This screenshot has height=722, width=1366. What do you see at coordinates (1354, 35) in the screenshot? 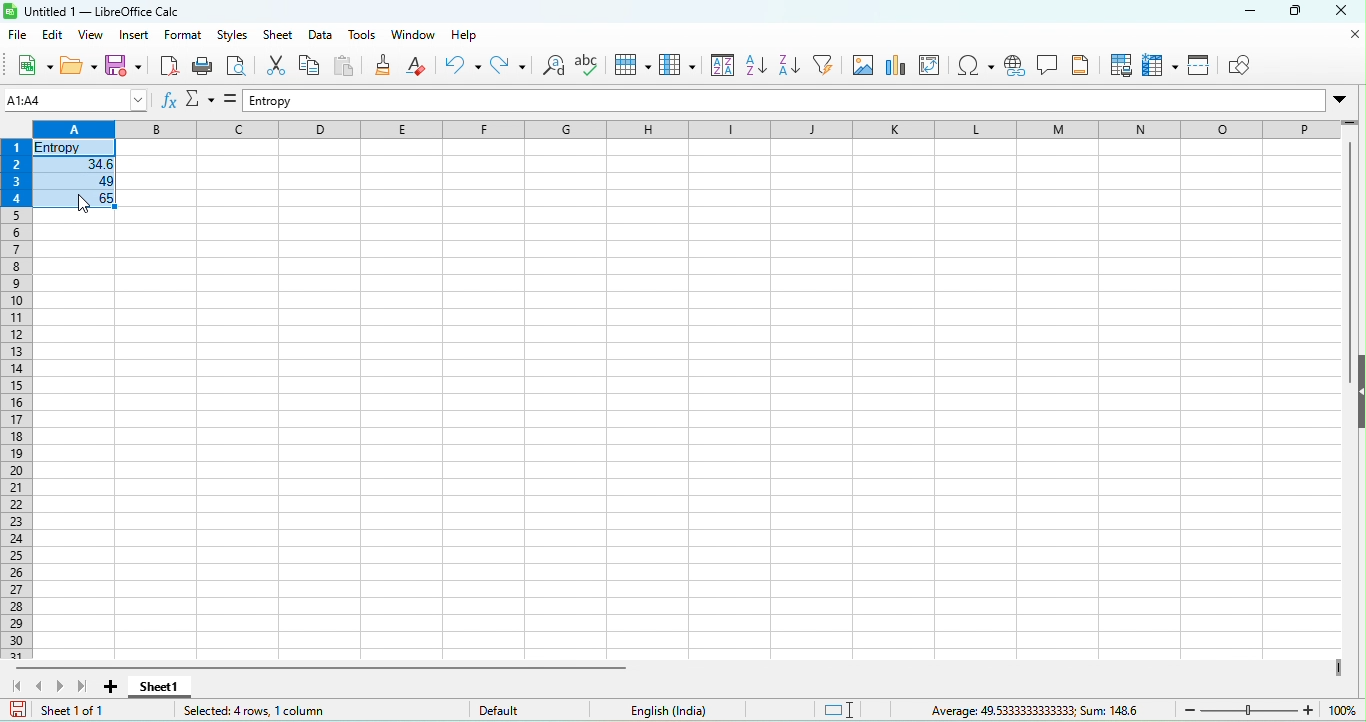
I see `close` at bounding box center [1354, 35].